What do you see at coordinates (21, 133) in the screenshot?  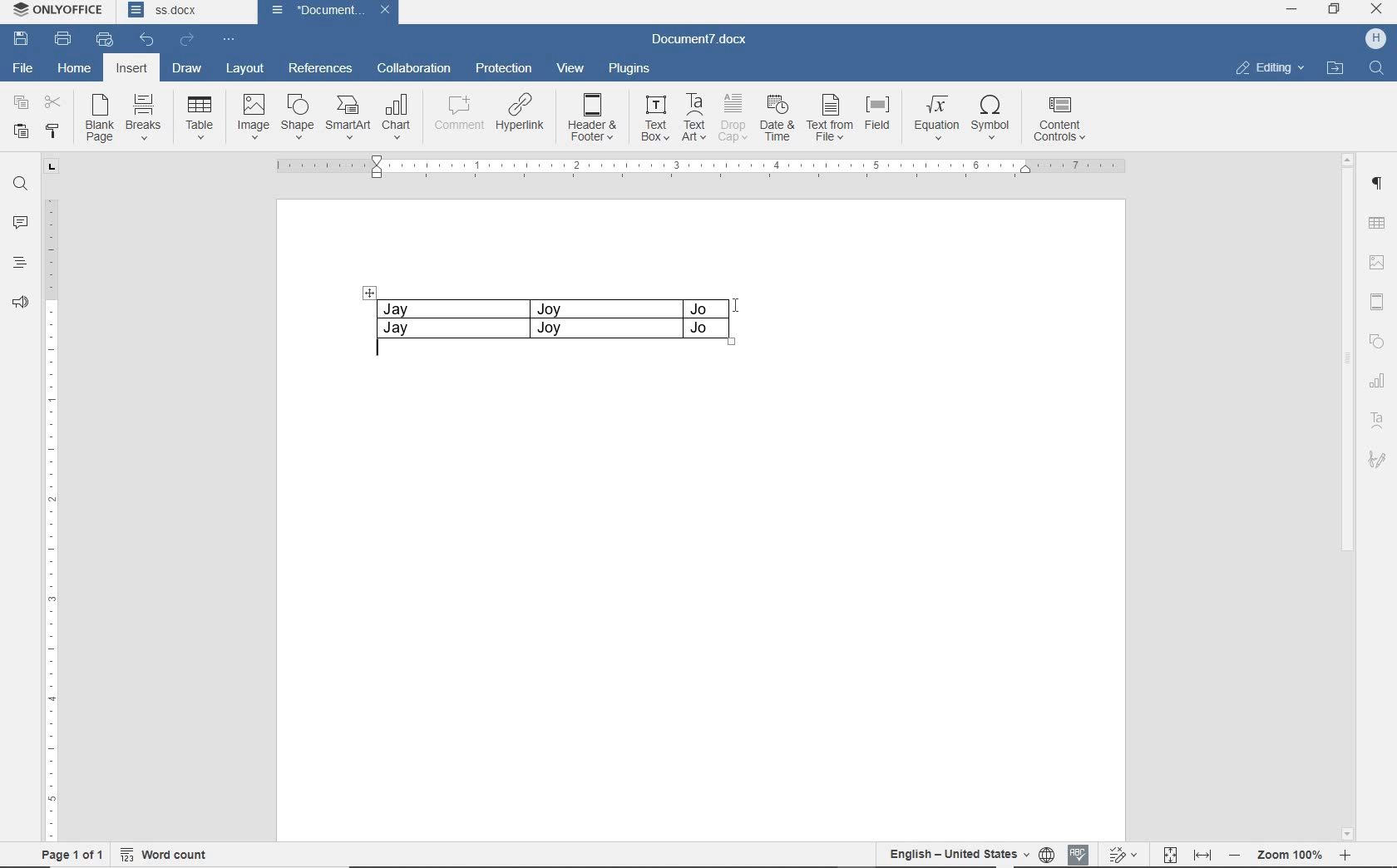 I see `PASTE` at bounding box center [21, 133].